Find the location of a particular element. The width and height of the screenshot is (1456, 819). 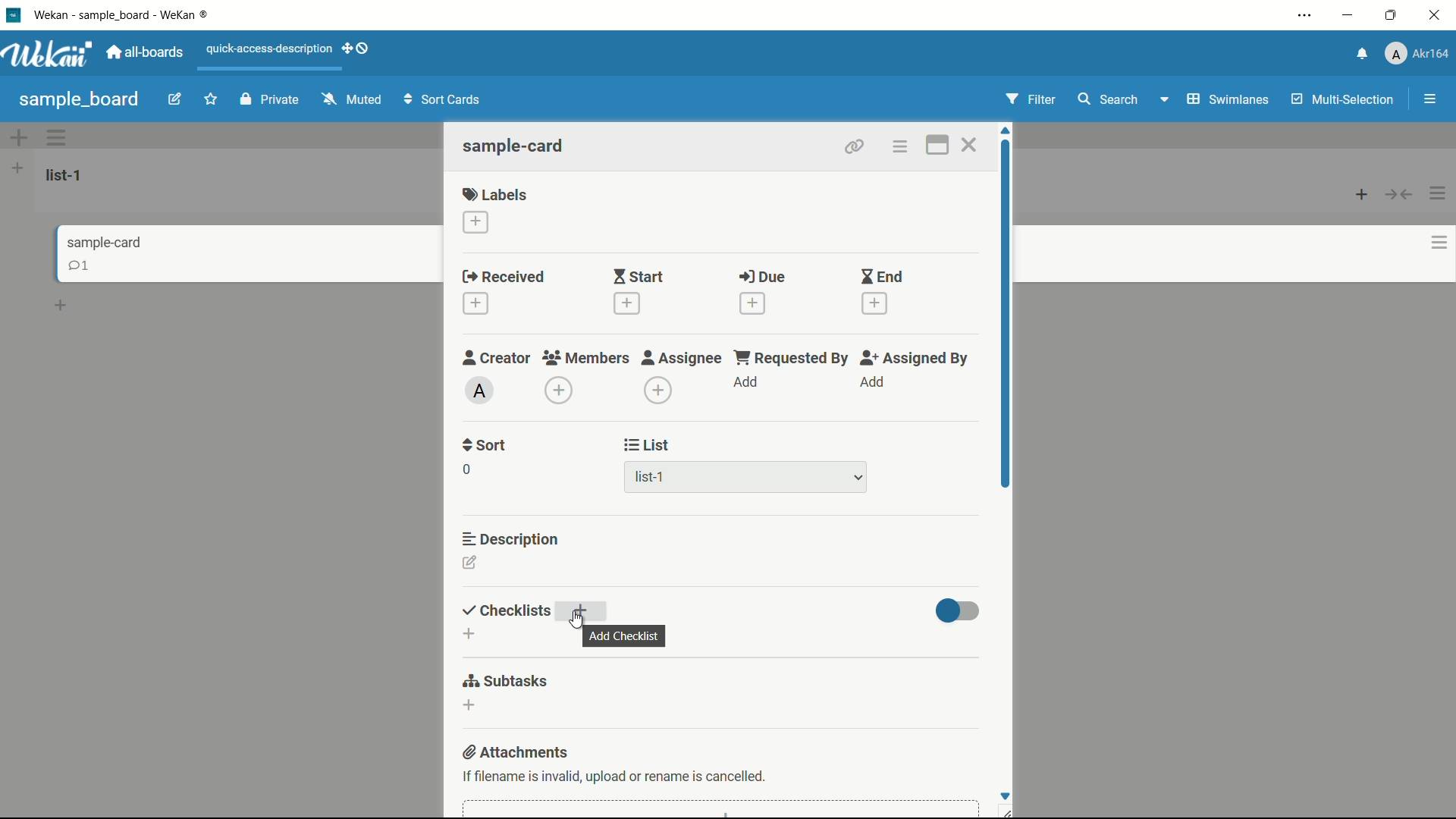

add label is located at coordinates (472, 222).